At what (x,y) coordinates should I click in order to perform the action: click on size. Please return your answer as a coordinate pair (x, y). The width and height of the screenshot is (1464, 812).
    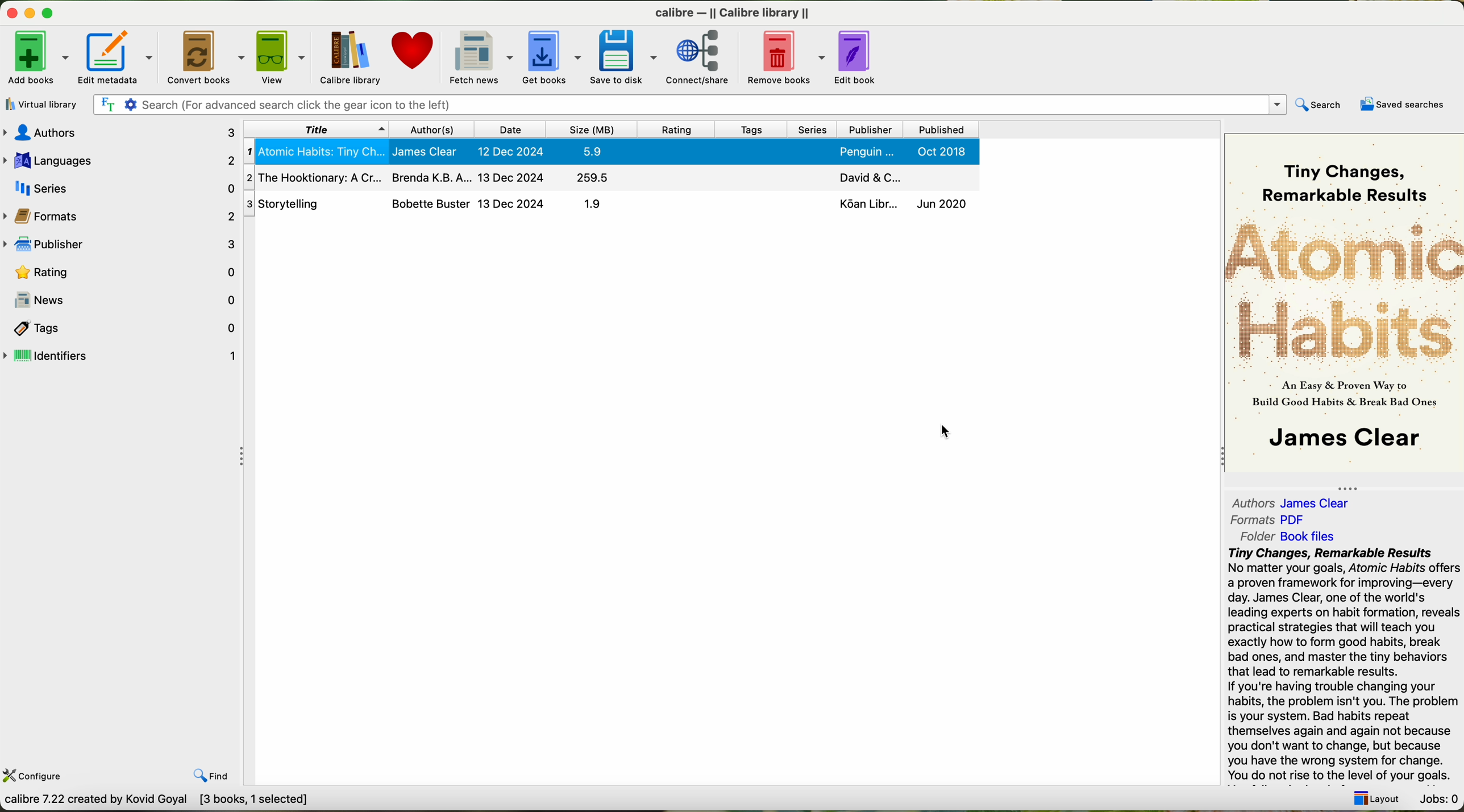
    Looking at the image, I should click on (592, 130).